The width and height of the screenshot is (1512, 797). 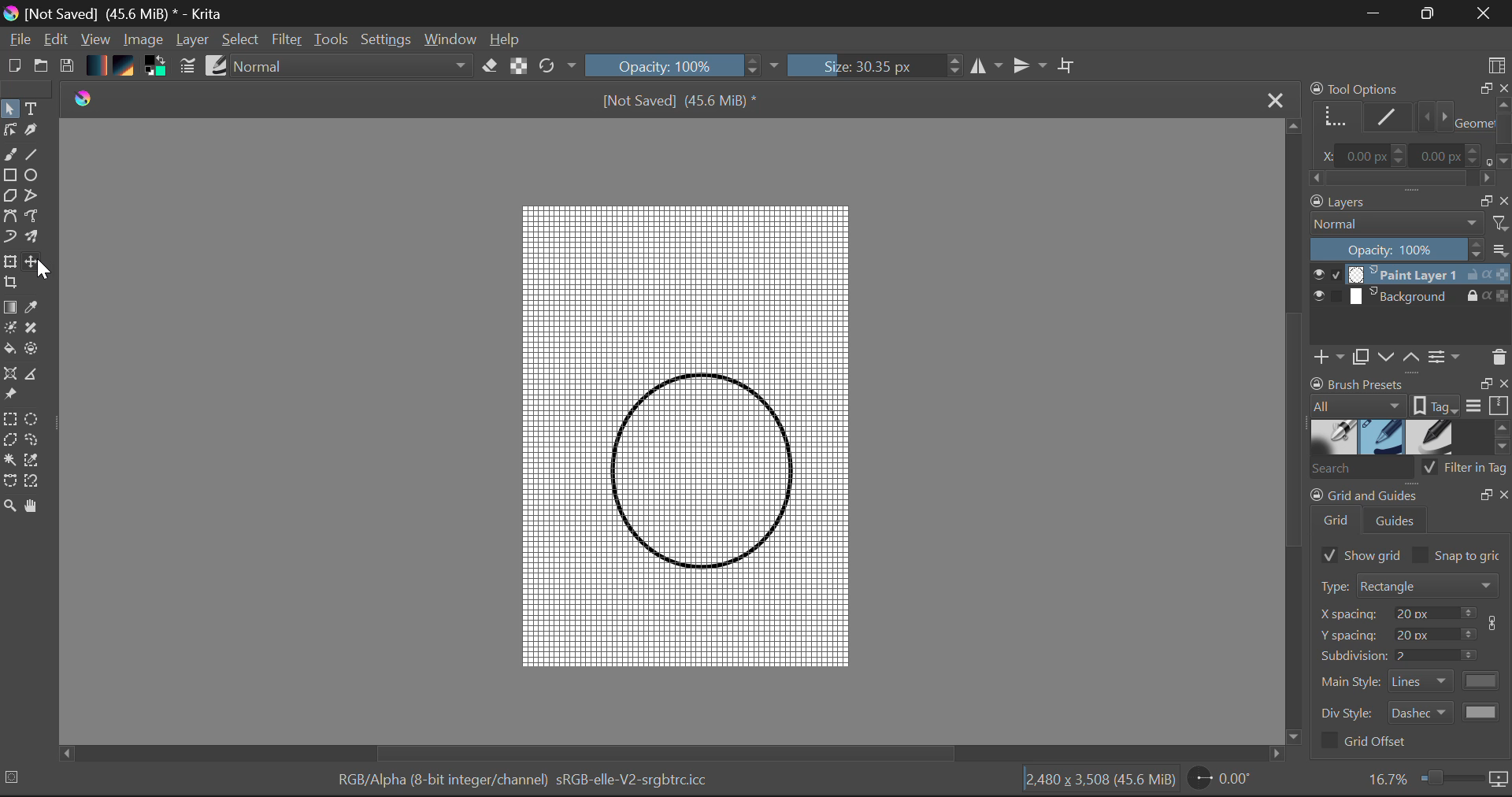 I want to click on Bezier Curve Selection, so click(x=9, y=480).